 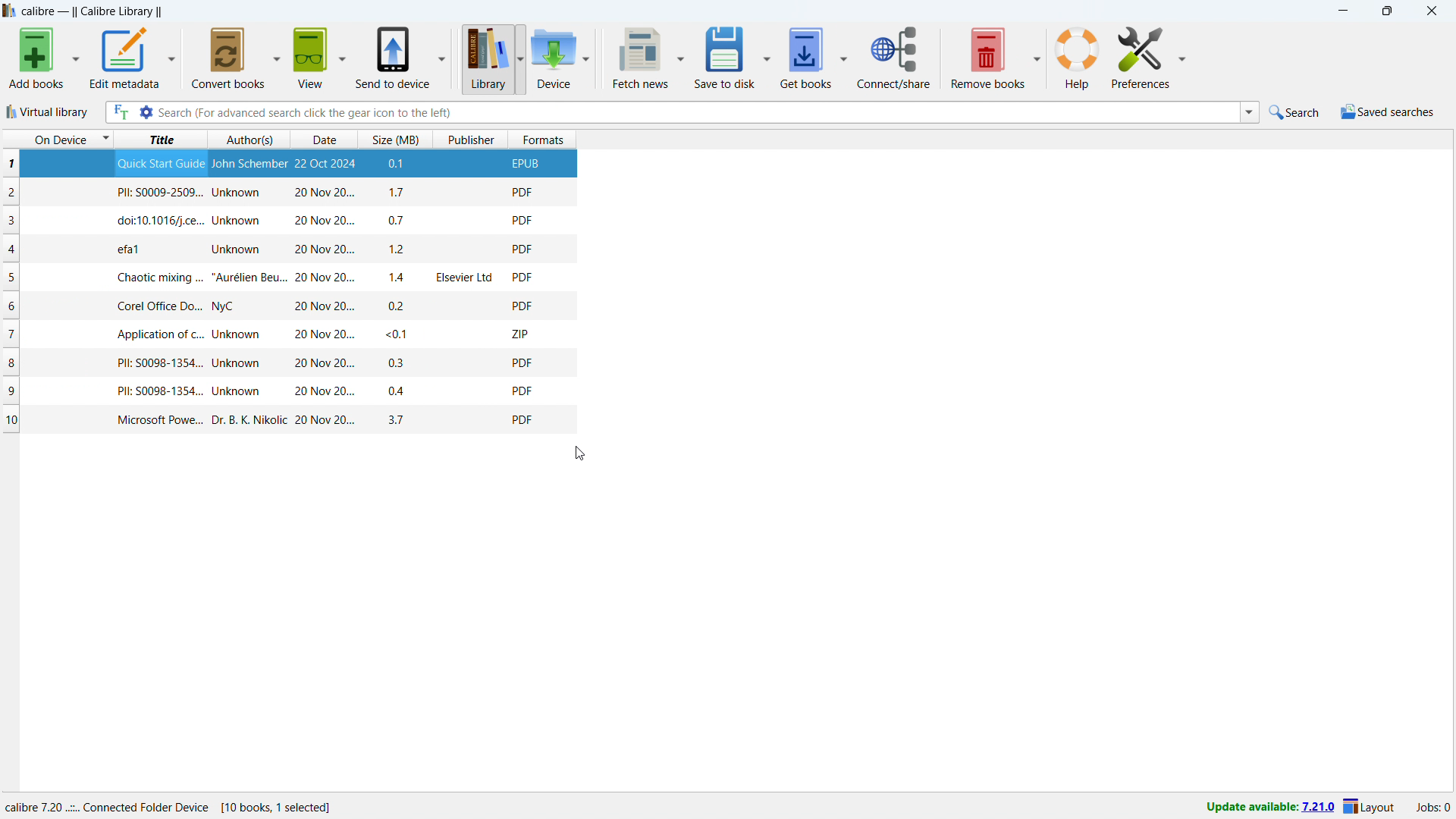 I want to click on library options, so click(x=518, y=57).